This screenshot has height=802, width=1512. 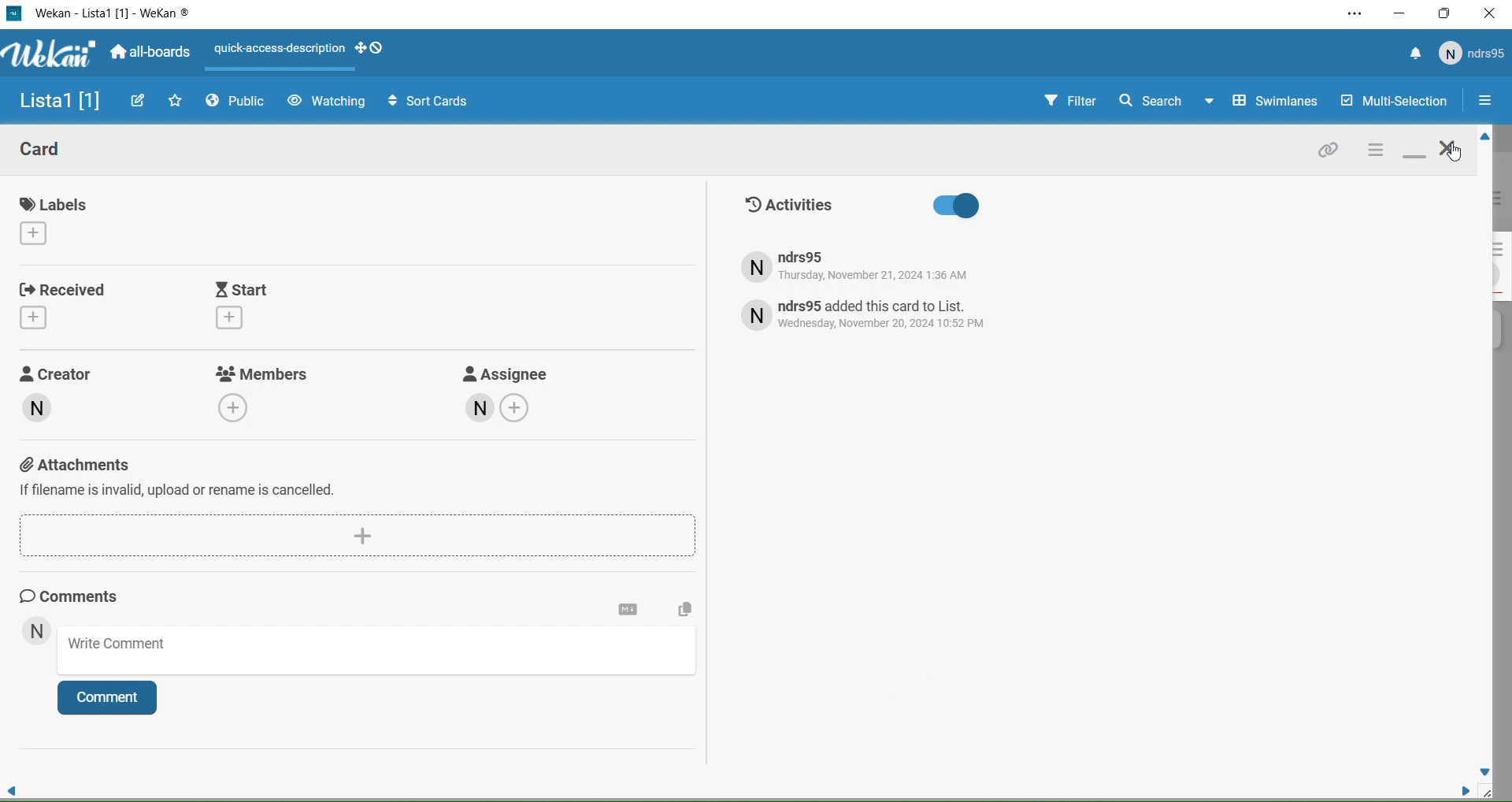 What do you see at coordinates (1458, 789) in the screenshot?
I see `move right` at bounding box center [1458, 789].